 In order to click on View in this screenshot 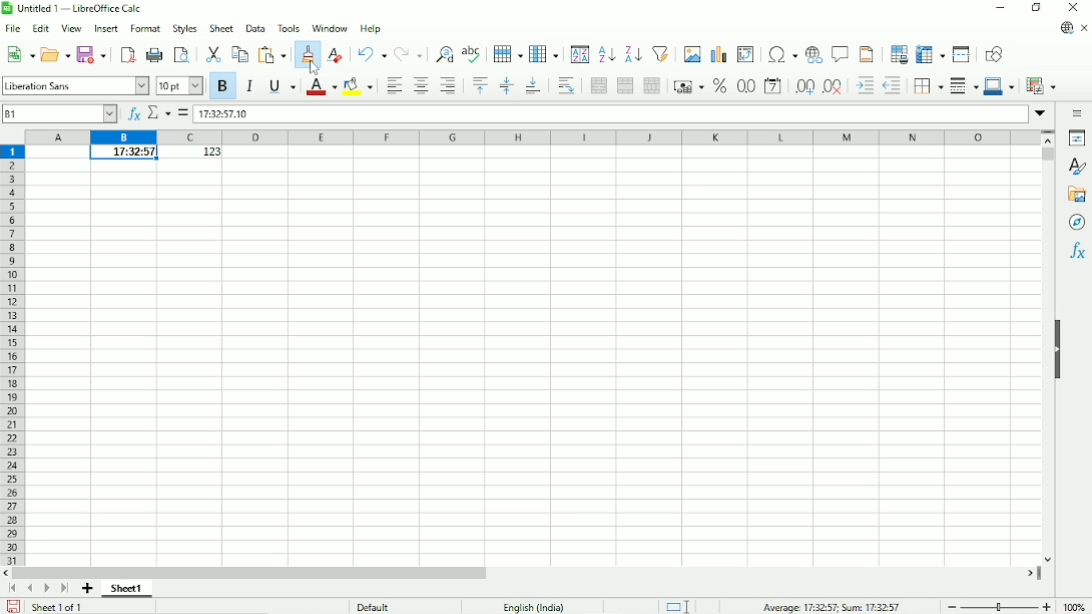, I will do `click(70, 29)`.